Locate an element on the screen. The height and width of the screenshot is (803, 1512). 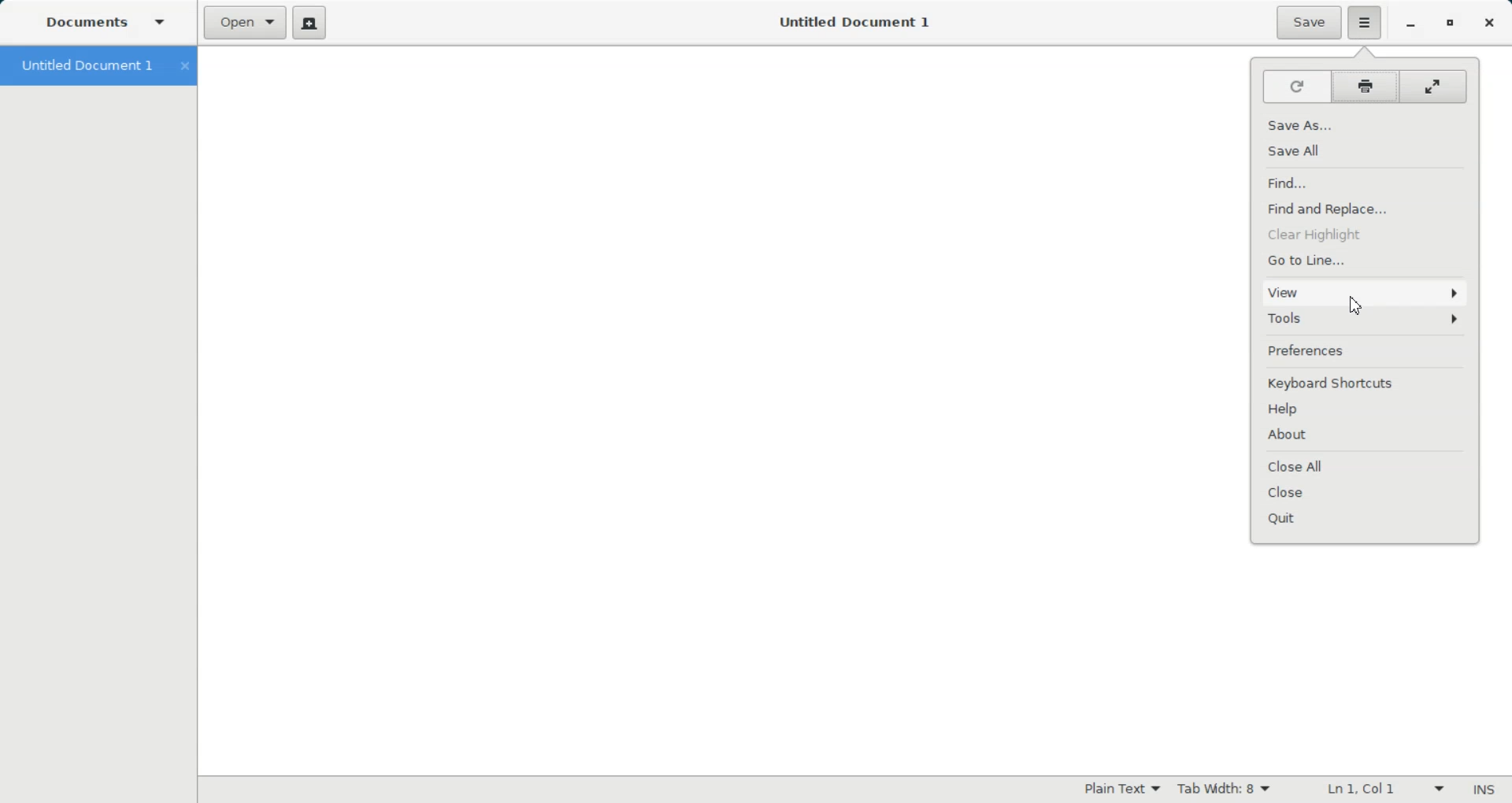
Tools is located at coordinates (1363, 320).